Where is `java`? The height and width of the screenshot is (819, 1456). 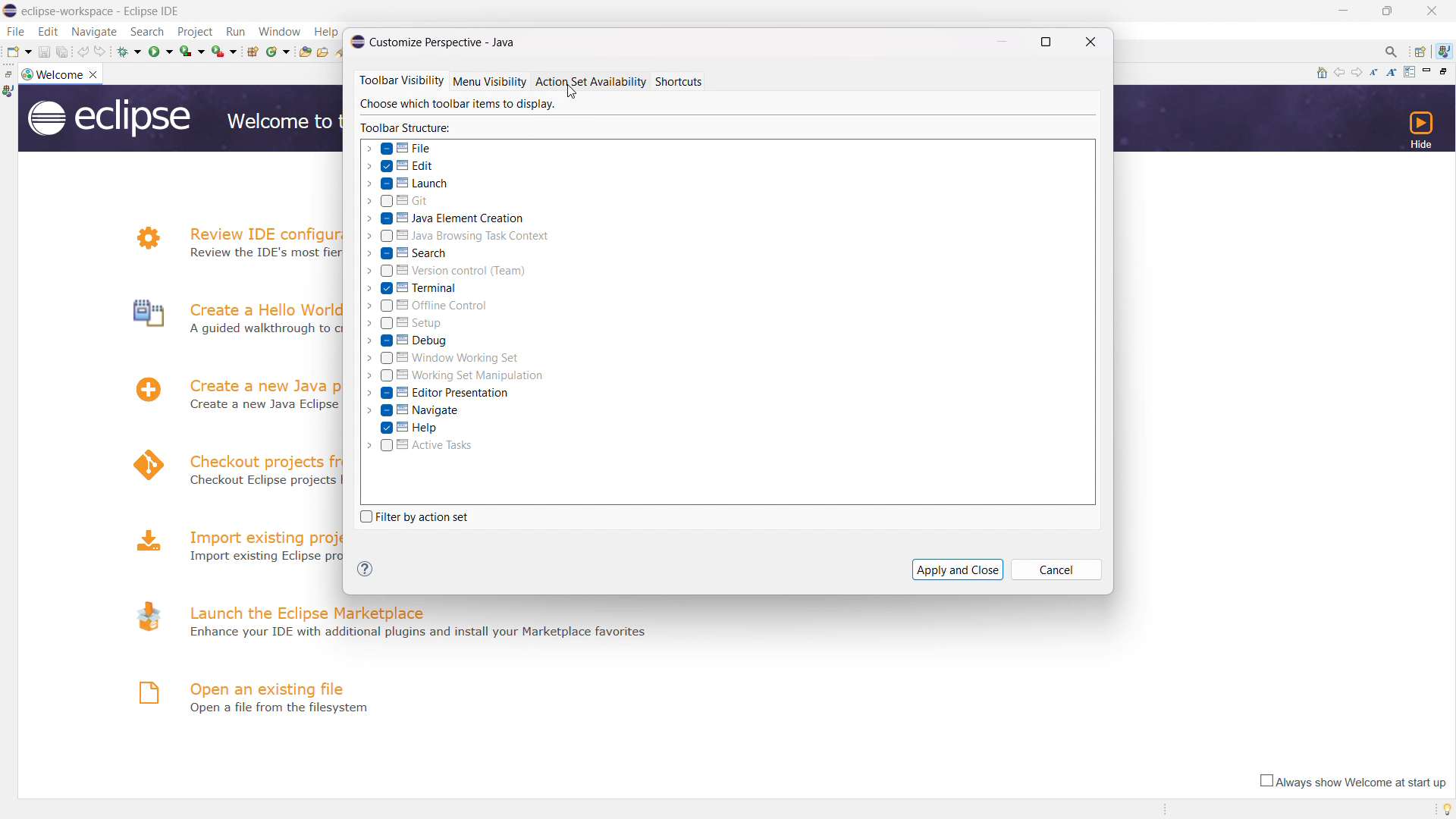
java is located at coordinates (1446, 51).